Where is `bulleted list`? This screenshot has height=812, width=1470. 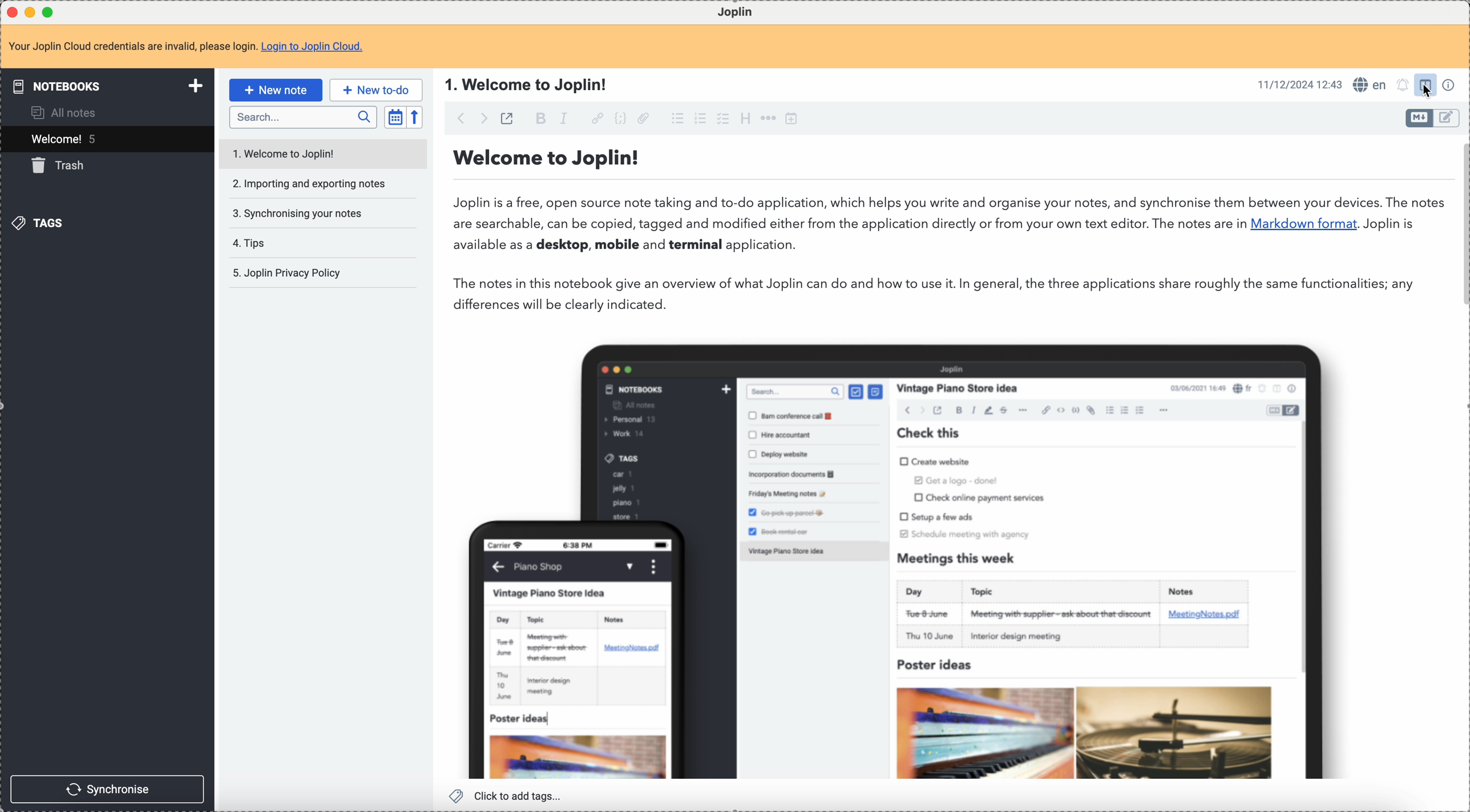 bulleted list is located at coordinates (676, 117).